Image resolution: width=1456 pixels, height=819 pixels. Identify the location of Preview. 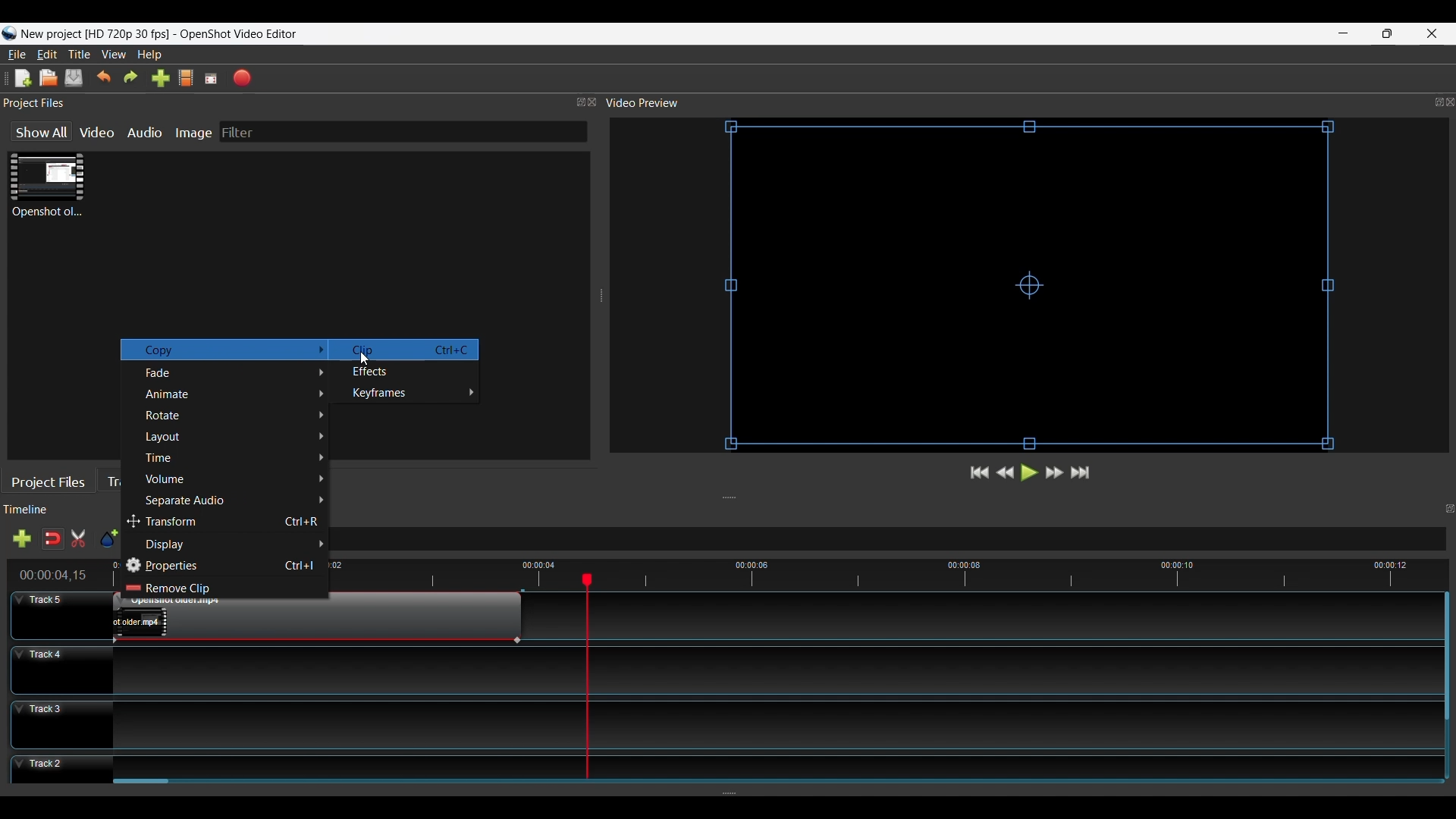
(1006, 474).